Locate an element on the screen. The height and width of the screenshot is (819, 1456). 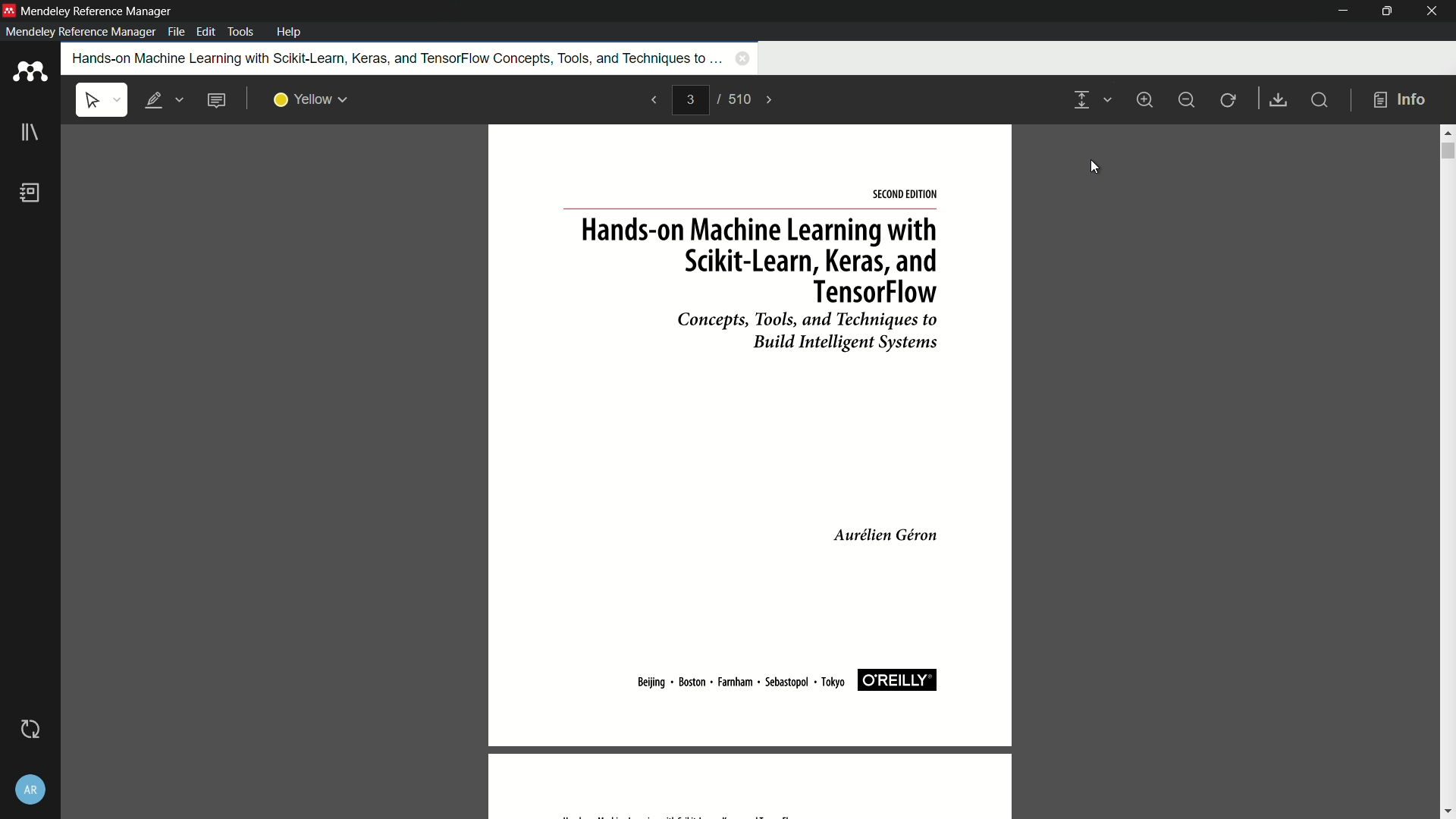
mendeley reference manager is located at coordinates (80, 32).